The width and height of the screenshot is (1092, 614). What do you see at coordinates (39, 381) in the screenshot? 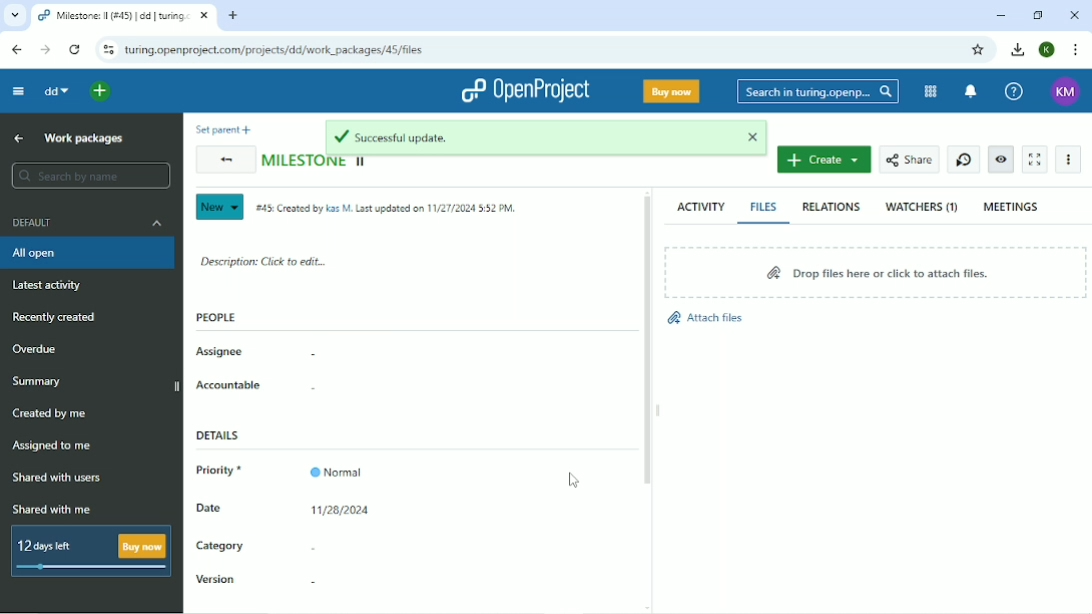
I see `Summary` at bounding box center [39, 381].